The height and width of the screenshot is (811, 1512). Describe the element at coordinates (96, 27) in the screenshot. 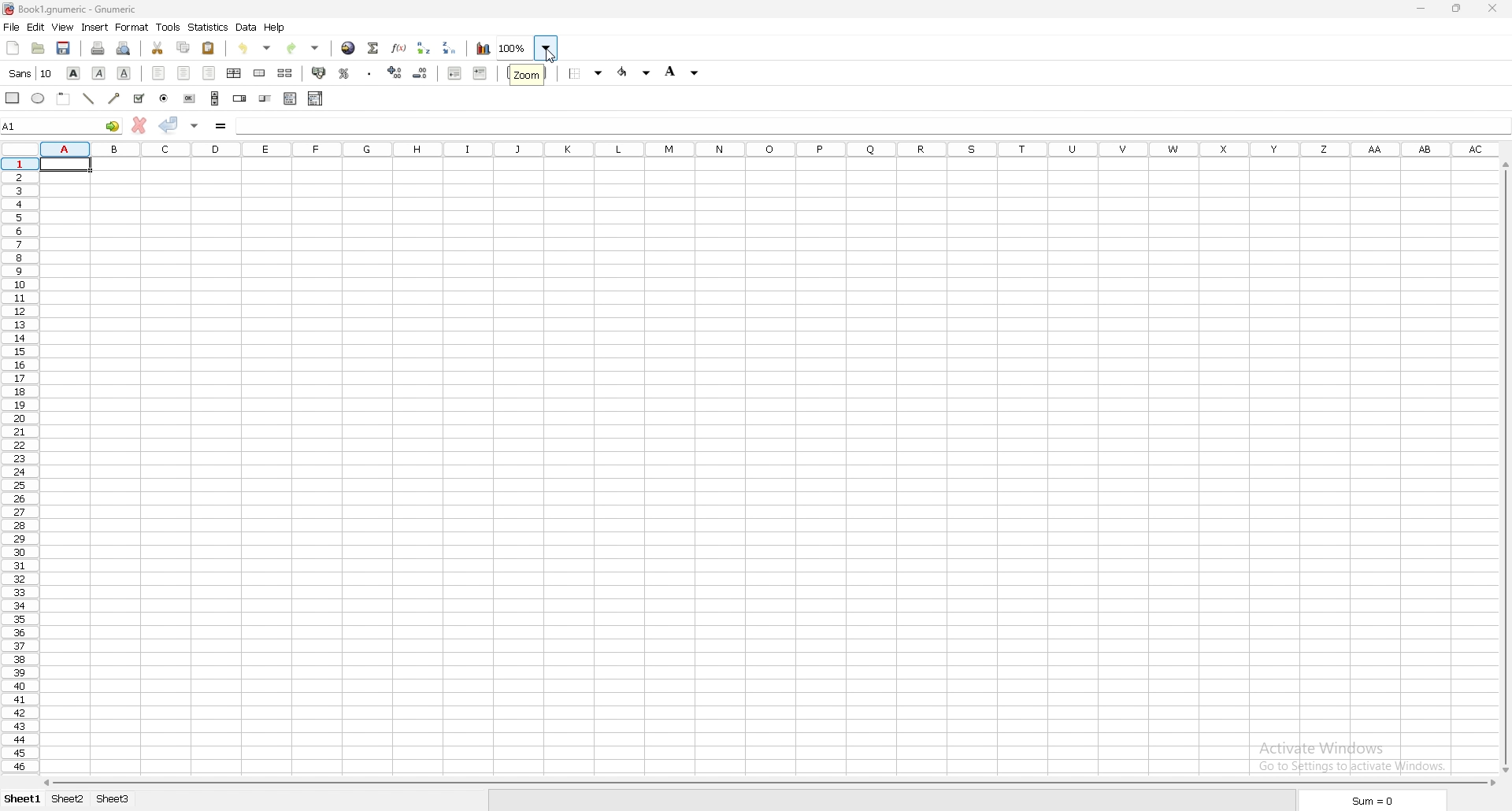

I see `insert` at that location.